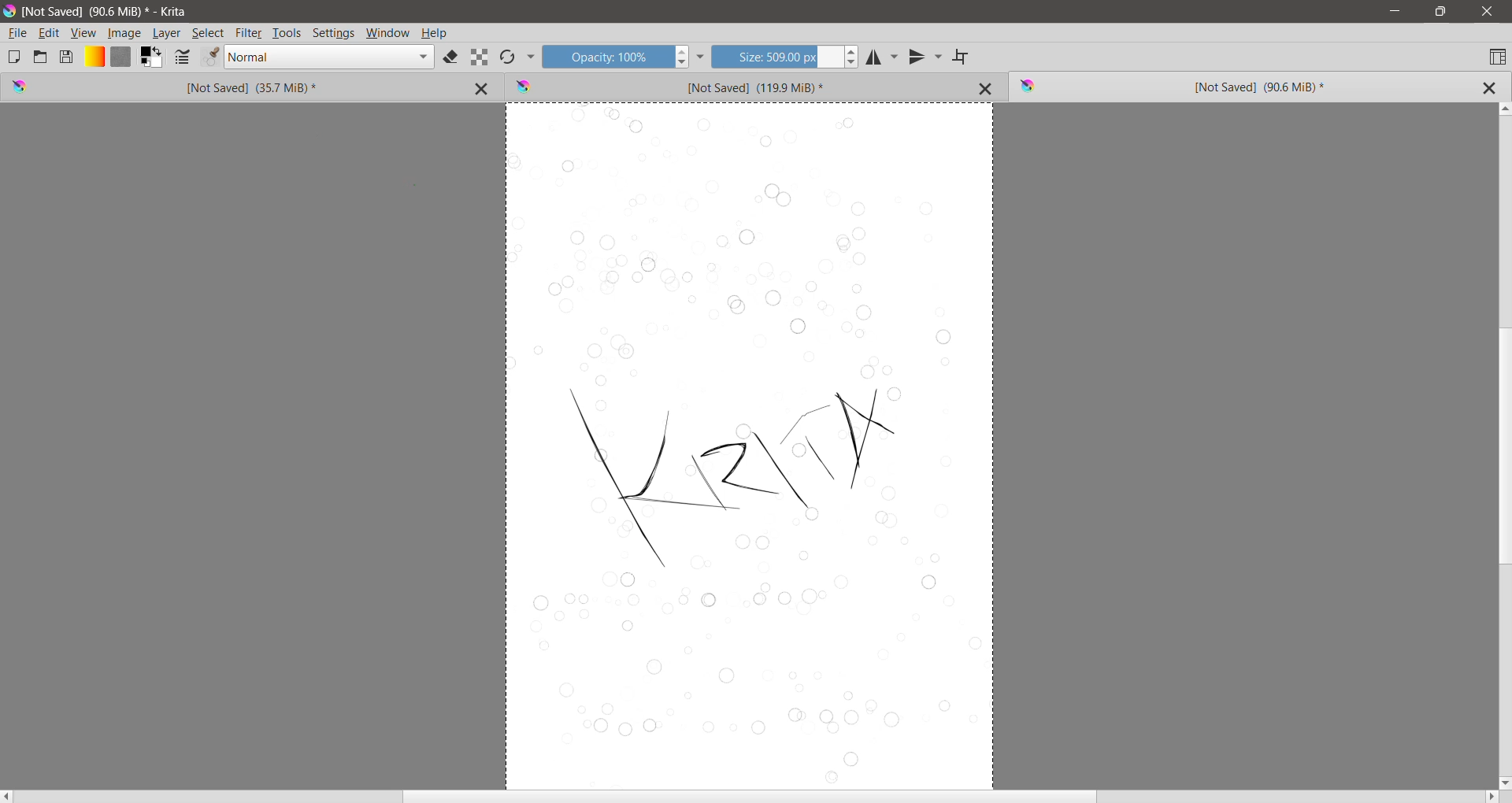 This screenshot has height=803, width=1512. Describe the element at coordinates (83, 33) in the screenshot. I see `View` at that location.